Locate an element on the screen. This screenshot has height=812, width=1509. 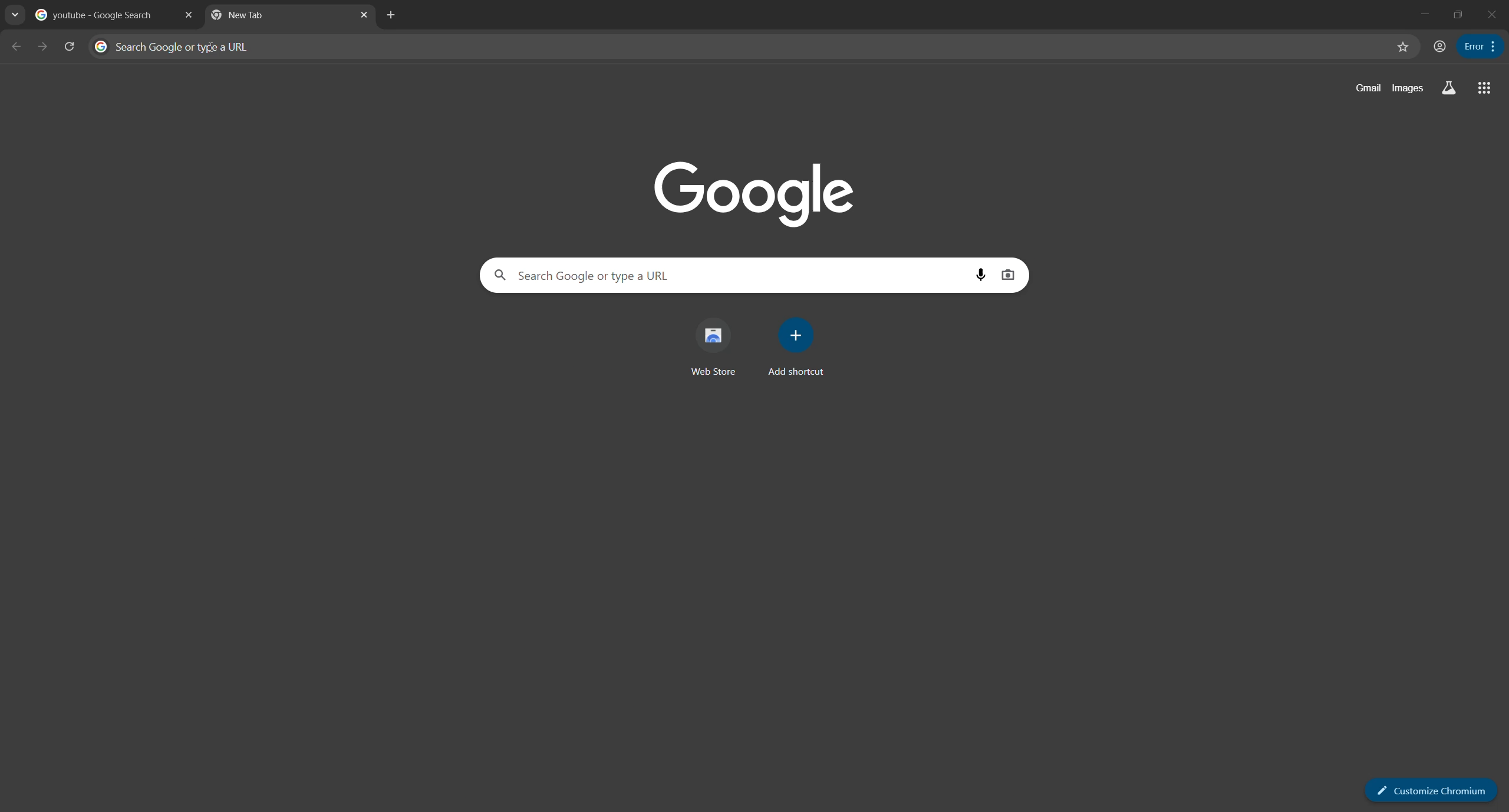
images is located at coordinates (1408, 89).